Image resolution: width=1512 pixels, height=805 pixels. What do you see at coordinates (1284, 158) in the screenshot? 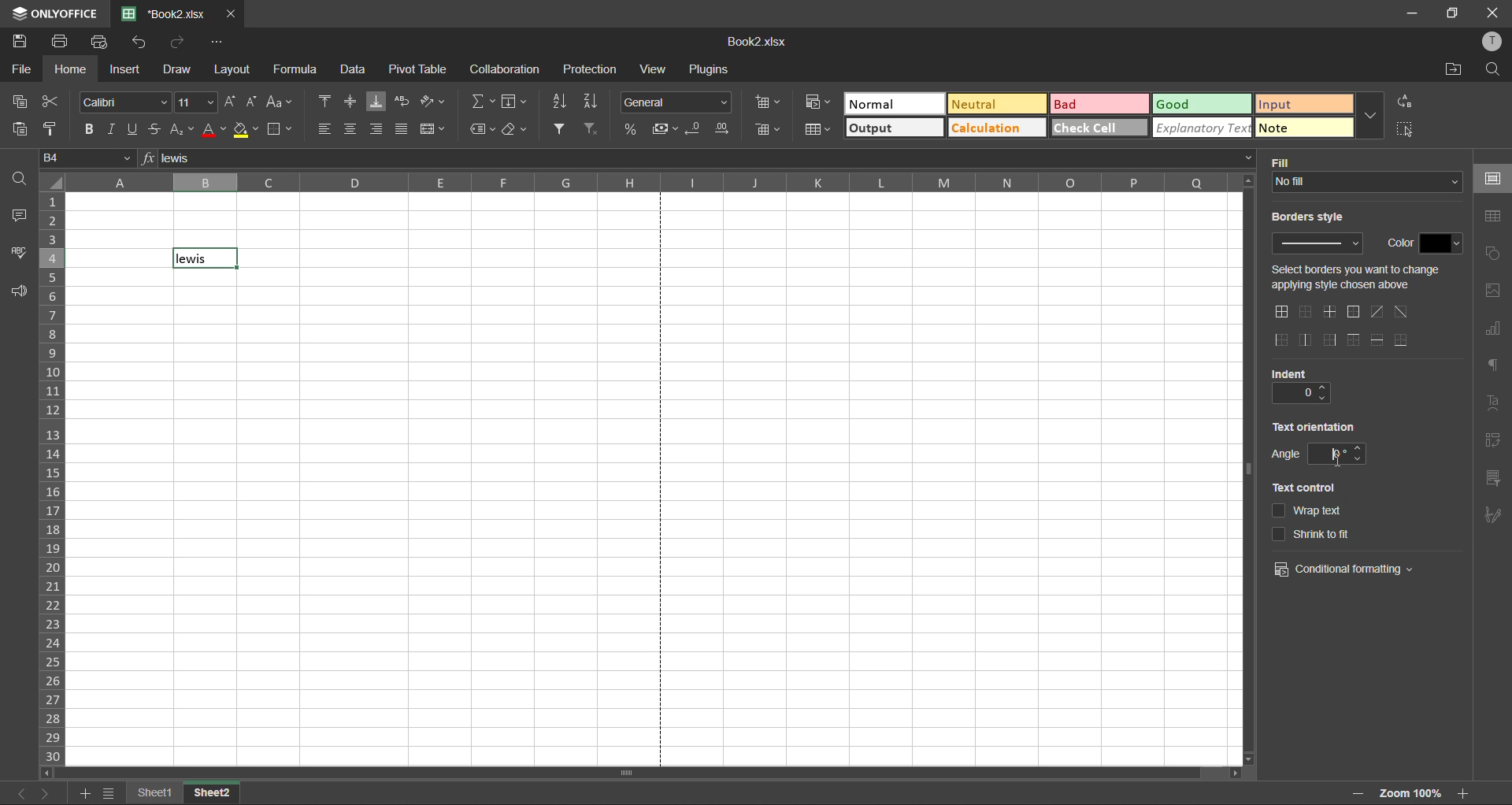
I see `fill` at bounding box center [1284, 158].